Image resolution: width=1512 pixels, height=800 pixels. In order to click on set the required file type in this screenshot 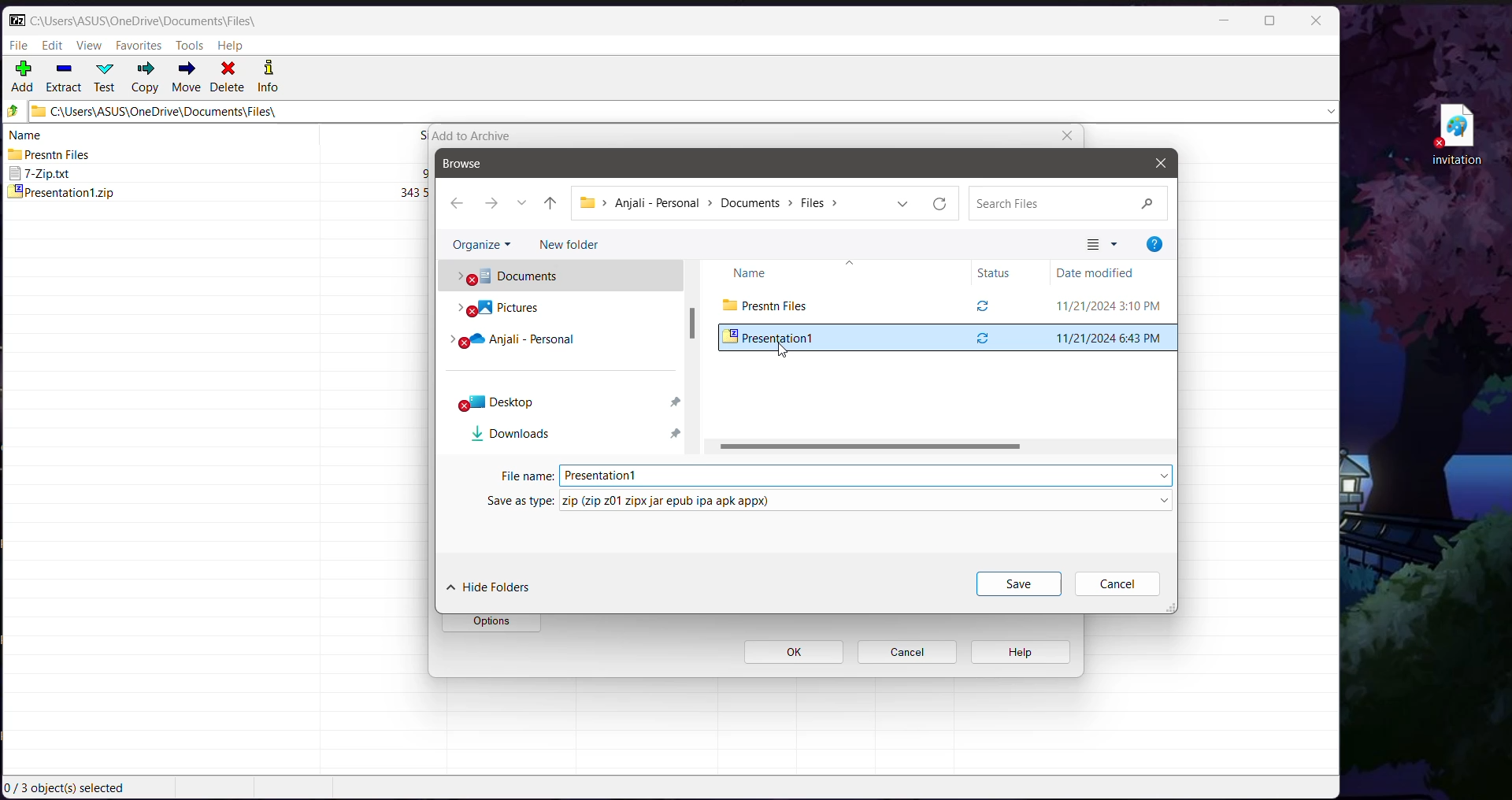, I will do `click(865, 500)`.